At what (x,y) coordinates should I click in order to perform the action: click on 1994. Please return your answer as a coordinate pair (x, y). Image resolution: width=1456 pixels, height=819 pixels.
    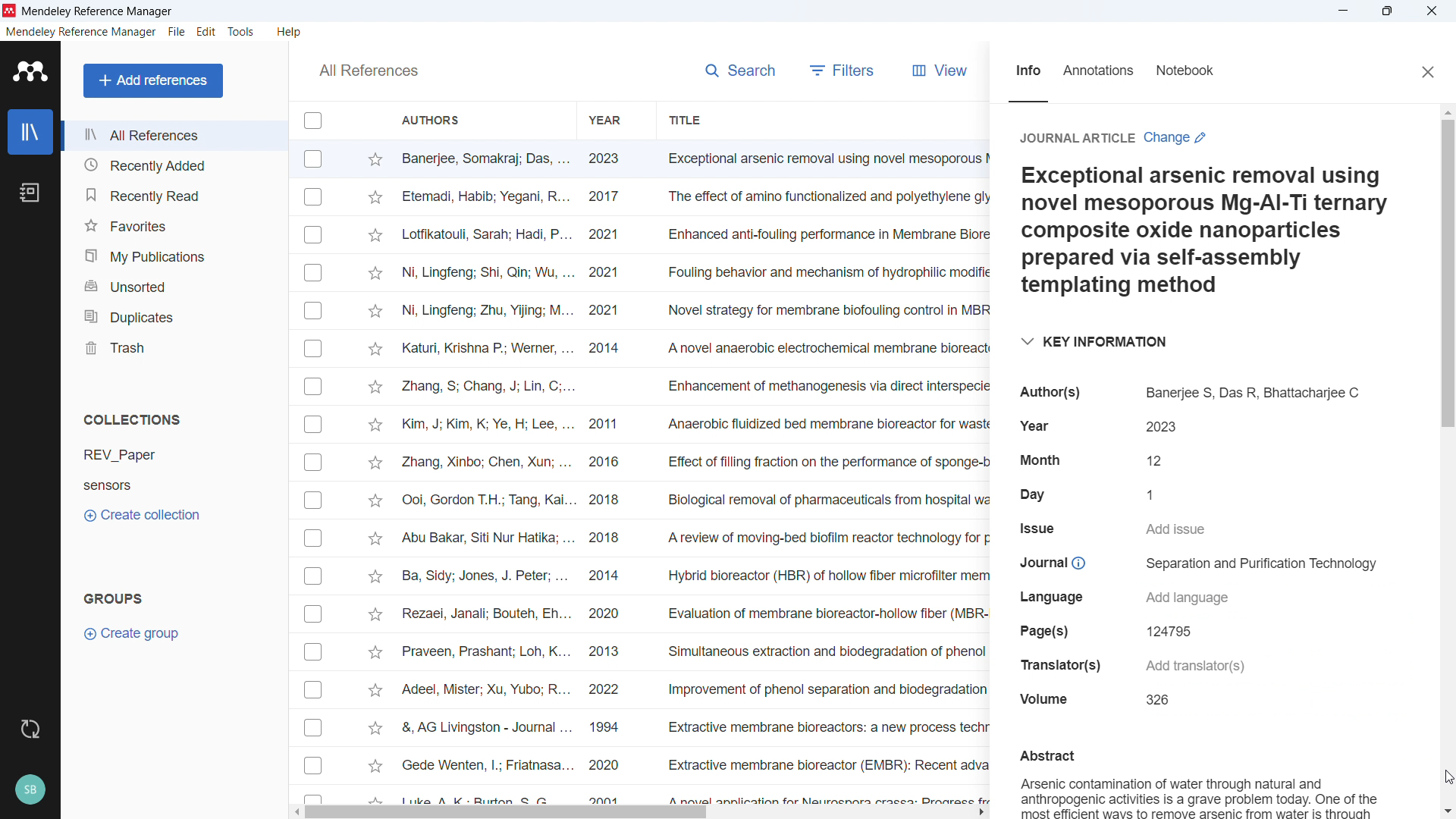
    Looking at the image, I should click on (609, 726).